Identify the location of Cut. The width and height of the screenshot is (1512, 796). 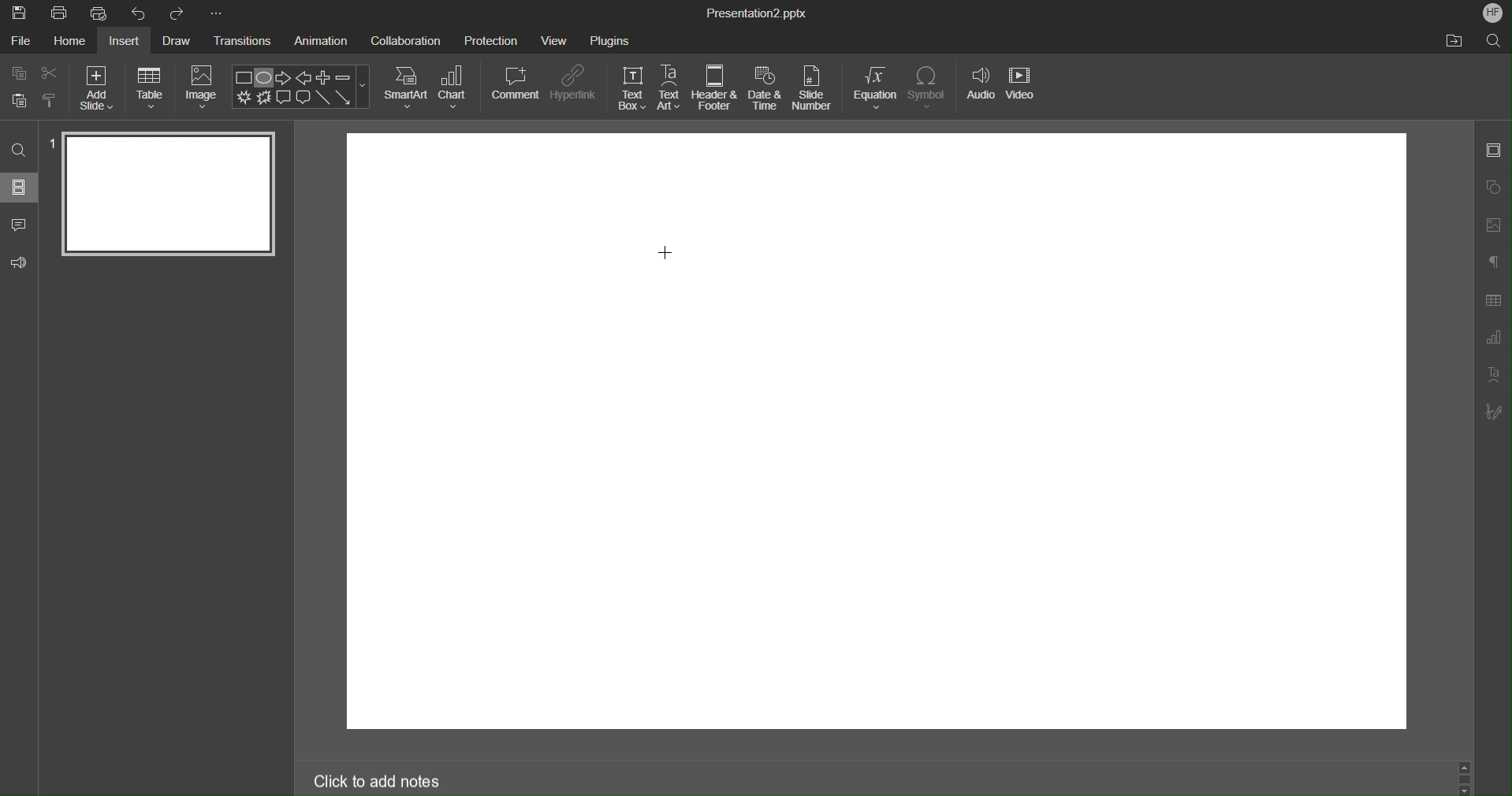
(51, 73).